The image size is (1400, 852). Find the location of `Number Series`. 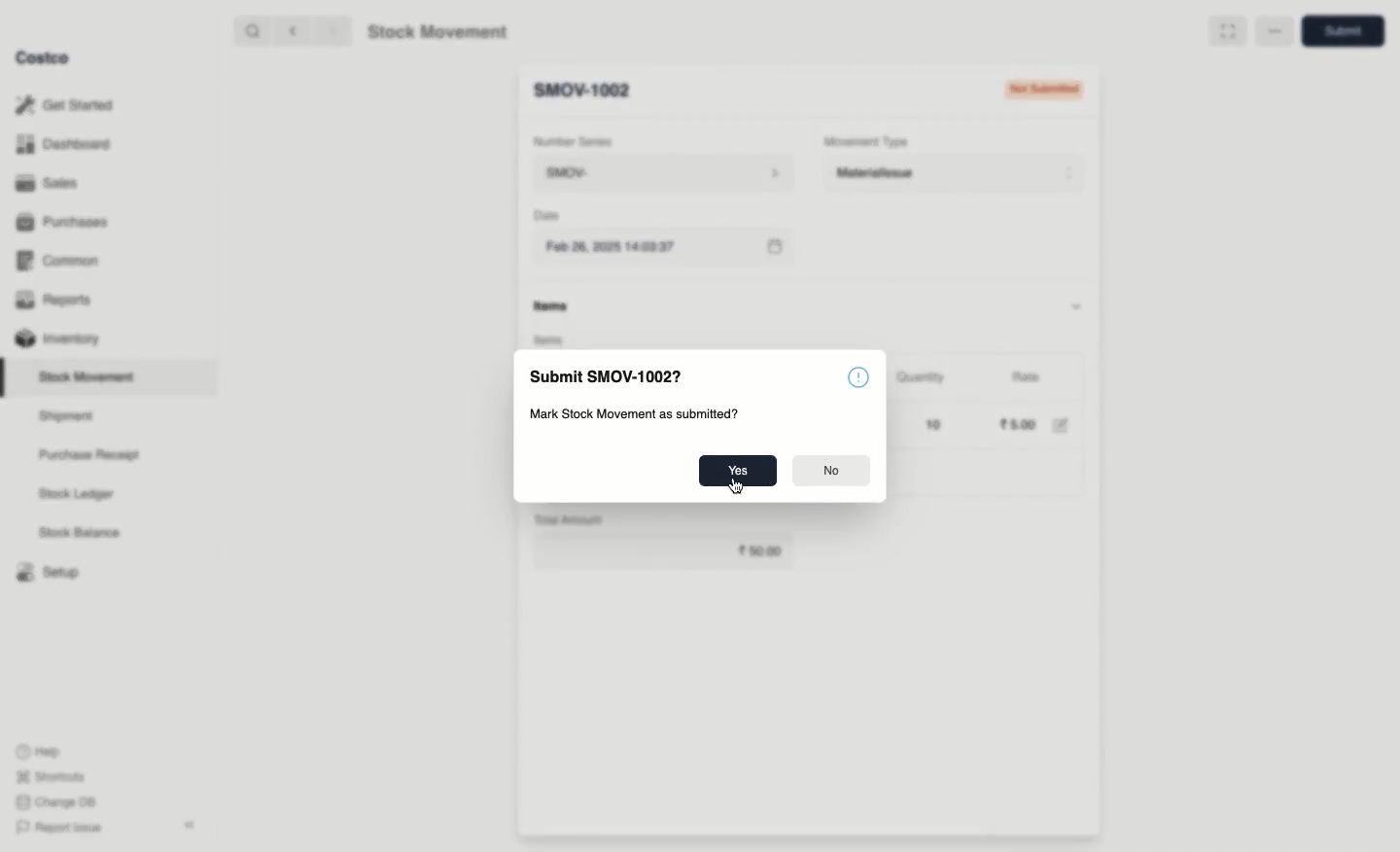

Number Series is located at coordinates (580, 145).